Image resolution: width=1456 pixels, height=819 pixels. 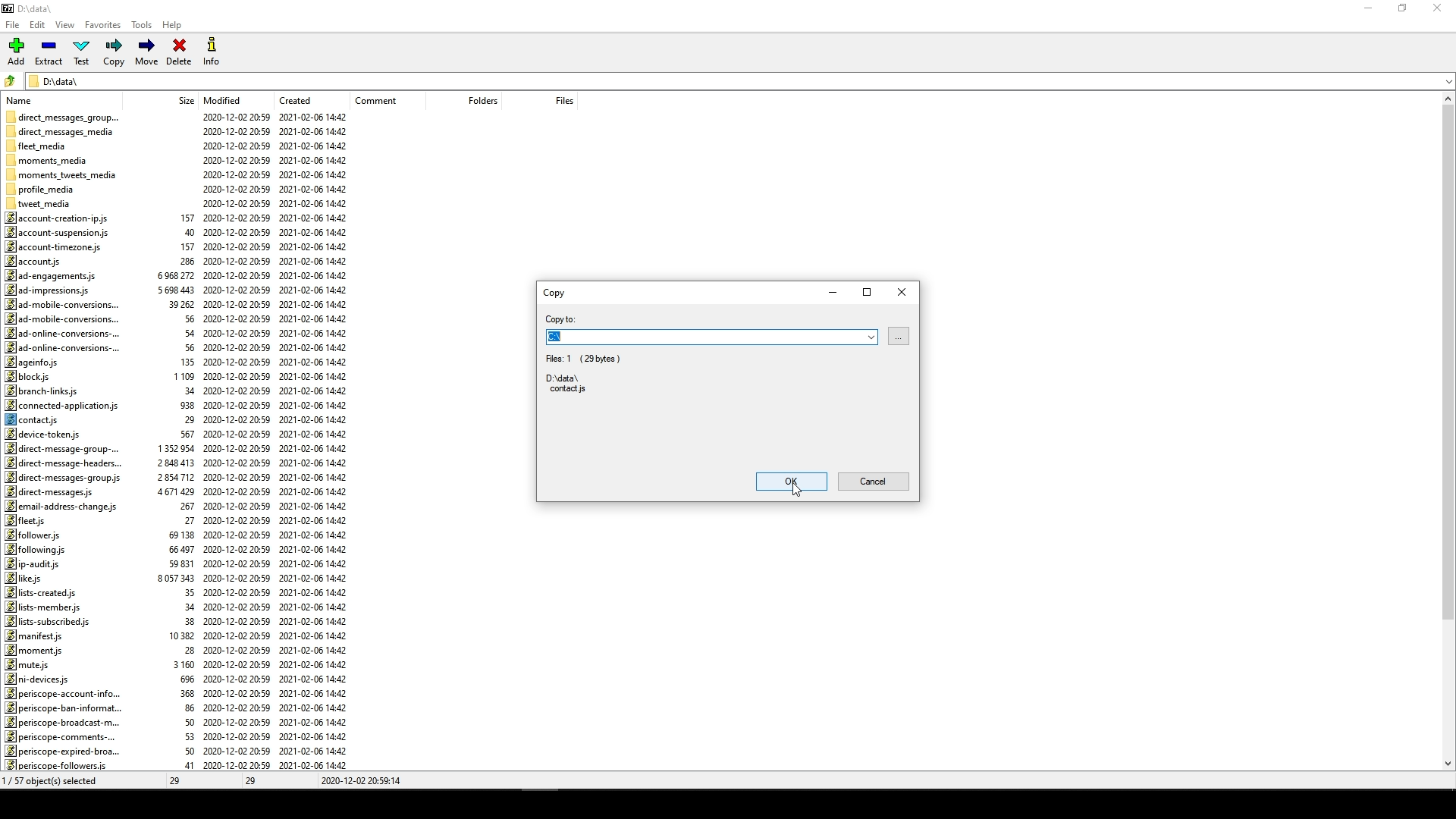 What do you see at coordinates (36, 549) in the screenshot?
I see `fol` at bounding box center [36, 549].